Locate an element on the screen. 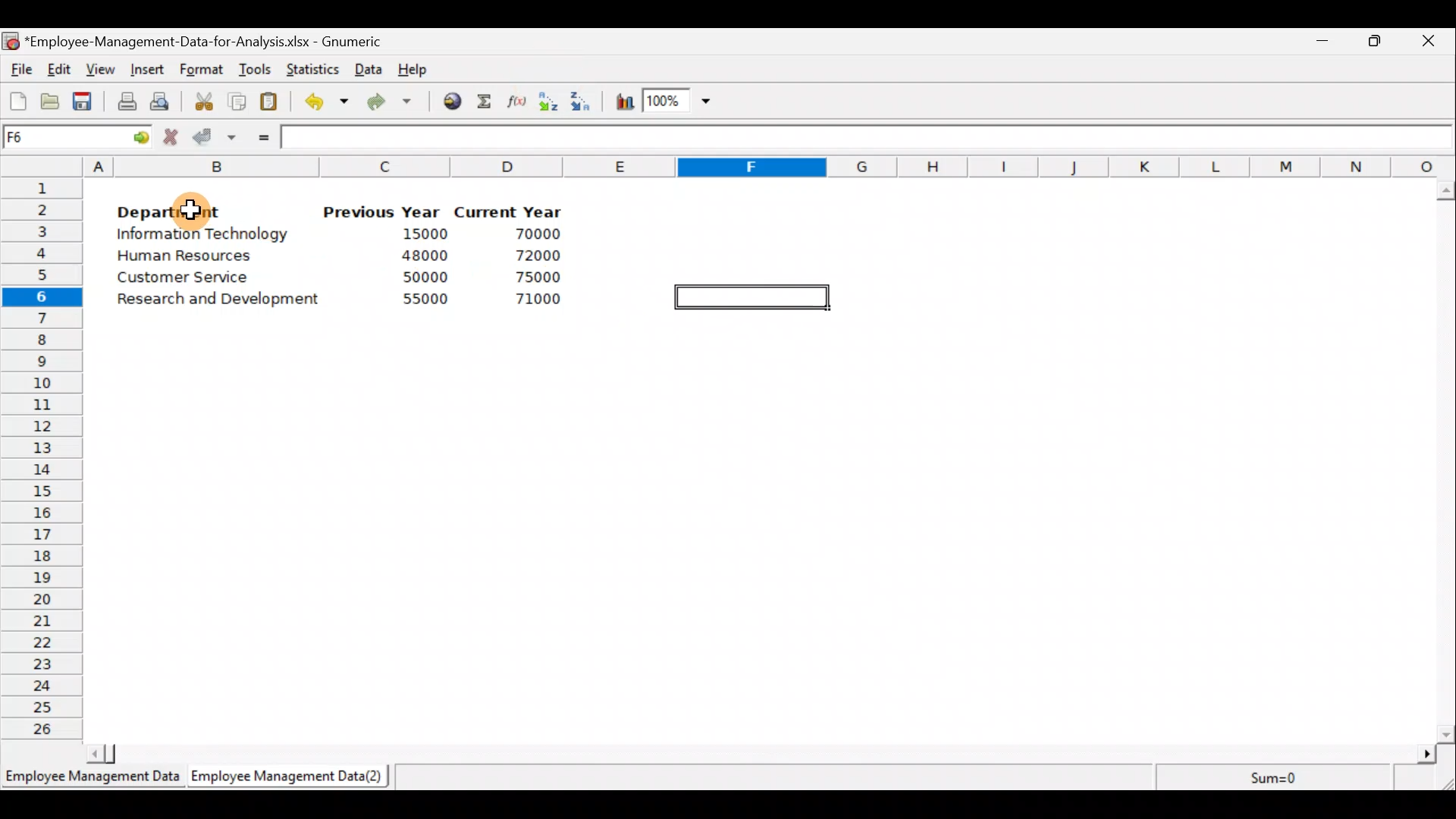 The width and height of the screenshot is (1456, 819). Statistics is located at coordinates (309, 67).